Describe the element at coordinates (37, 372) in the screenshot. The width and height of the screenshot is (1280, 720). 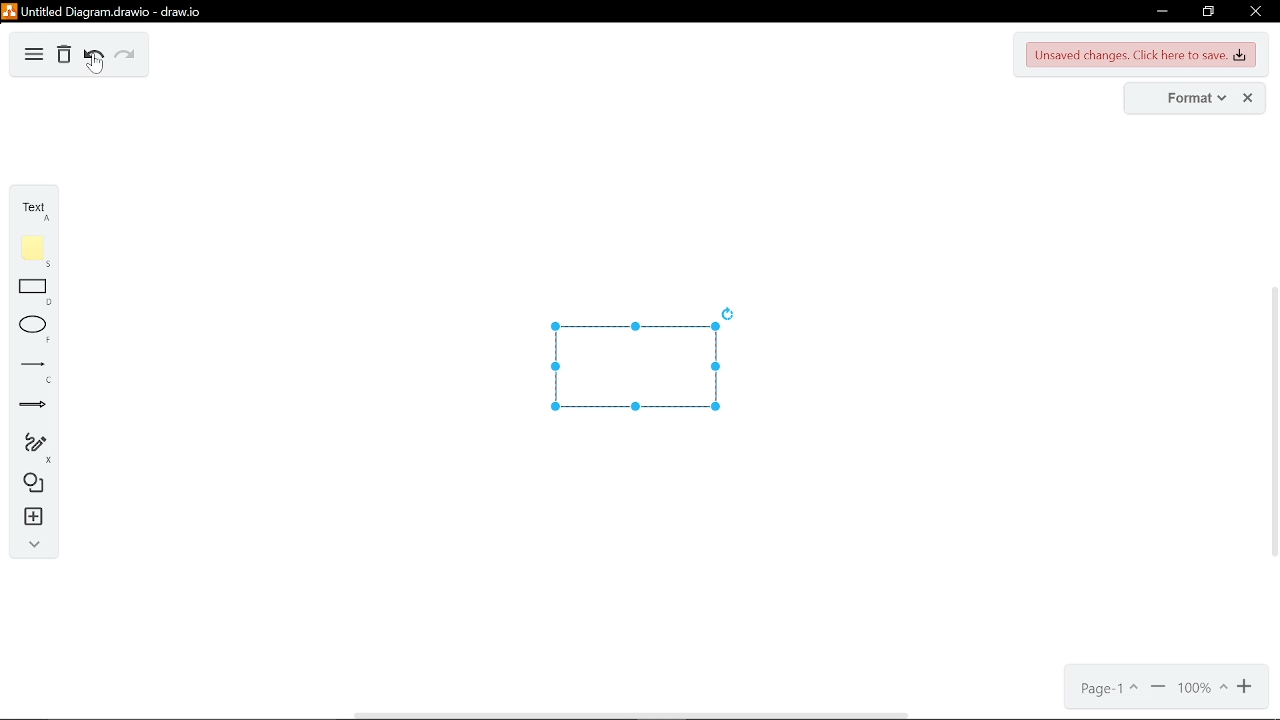
I see `lines` at that location.